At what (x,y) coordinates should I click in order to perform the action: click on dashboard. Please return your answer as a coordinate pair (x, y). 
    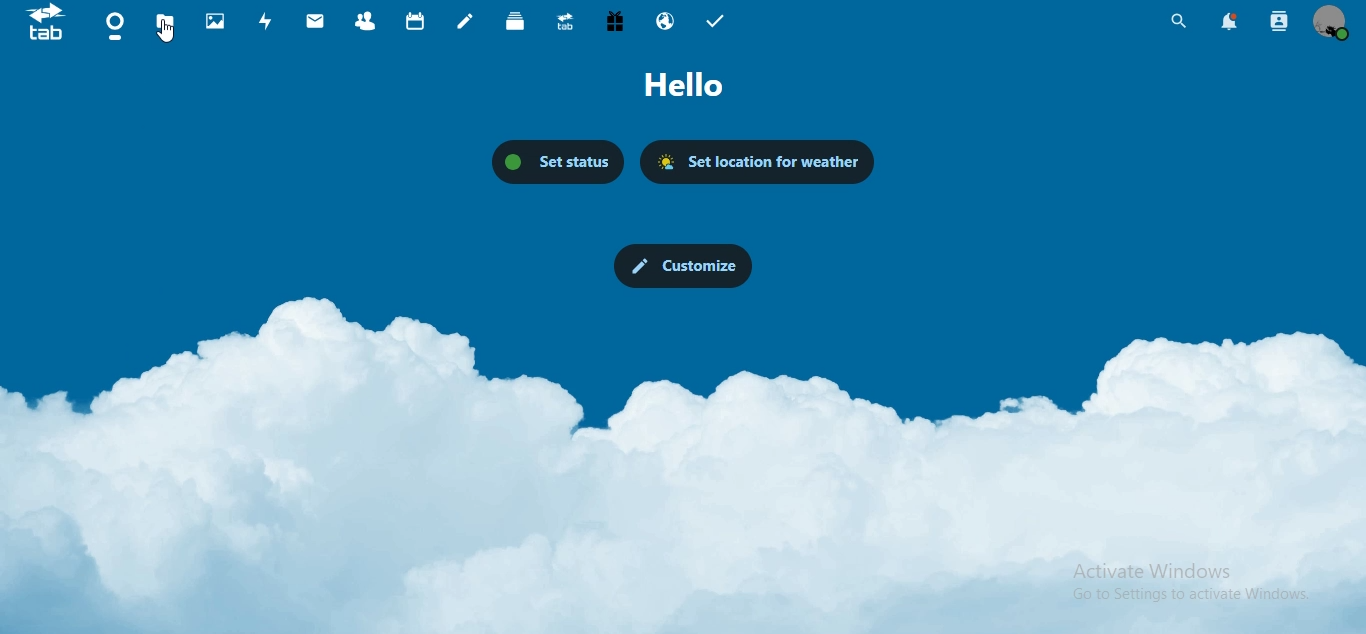
    Looking at the image, I should click on (116, 26).